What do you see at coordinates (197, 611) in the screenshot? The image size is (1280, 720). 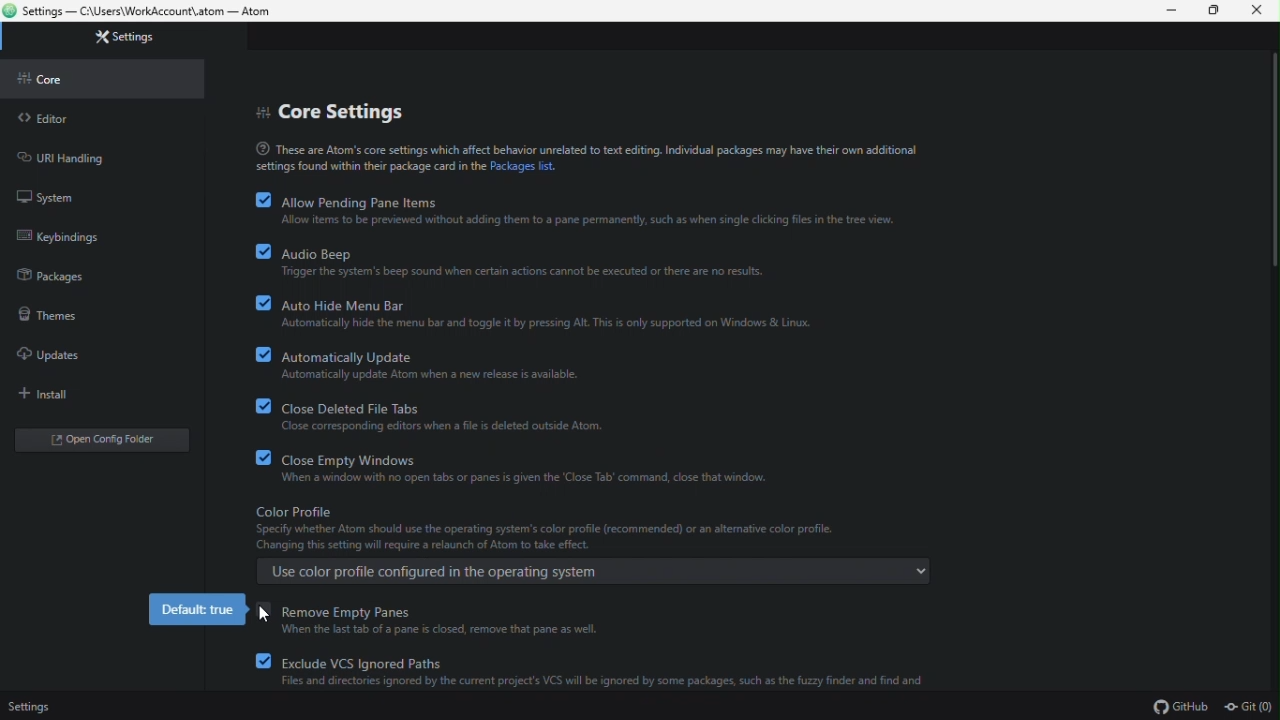 I see `default true` at bounding box center [197, 611].